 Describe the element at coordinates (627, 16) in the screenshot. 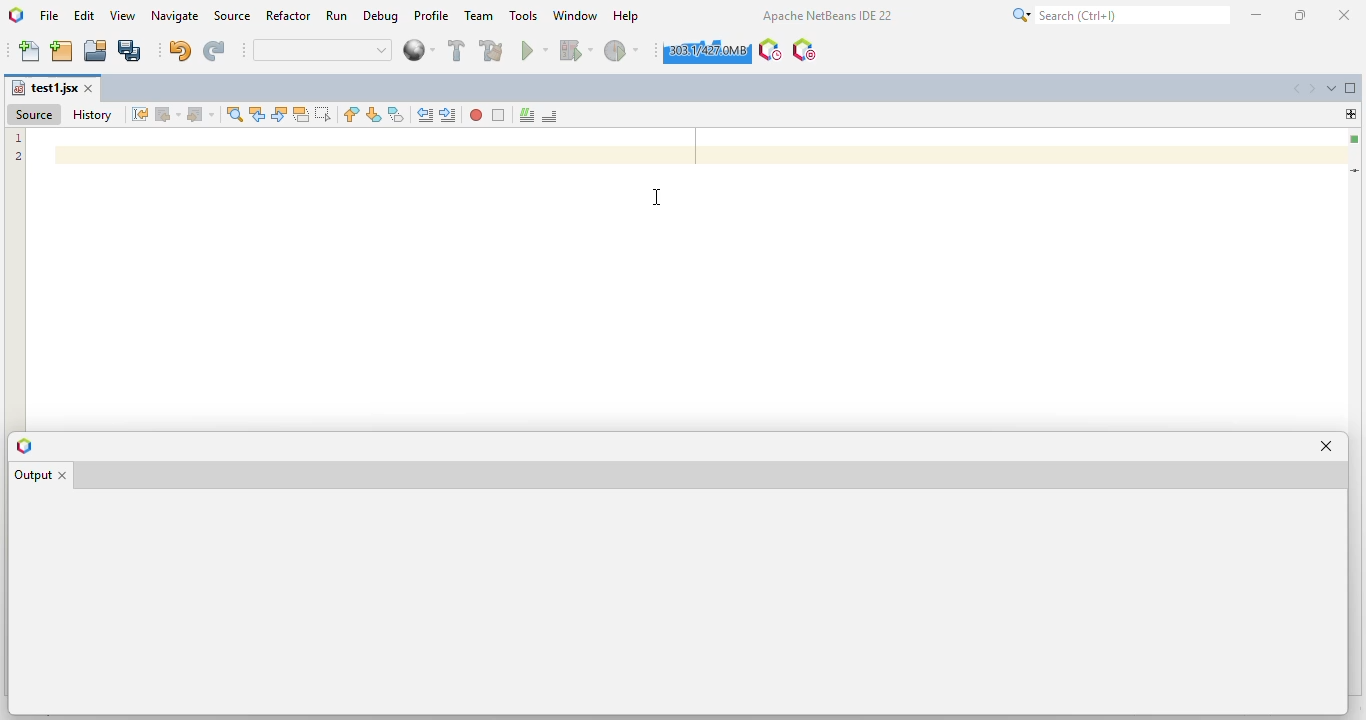

I see `help` at that location.